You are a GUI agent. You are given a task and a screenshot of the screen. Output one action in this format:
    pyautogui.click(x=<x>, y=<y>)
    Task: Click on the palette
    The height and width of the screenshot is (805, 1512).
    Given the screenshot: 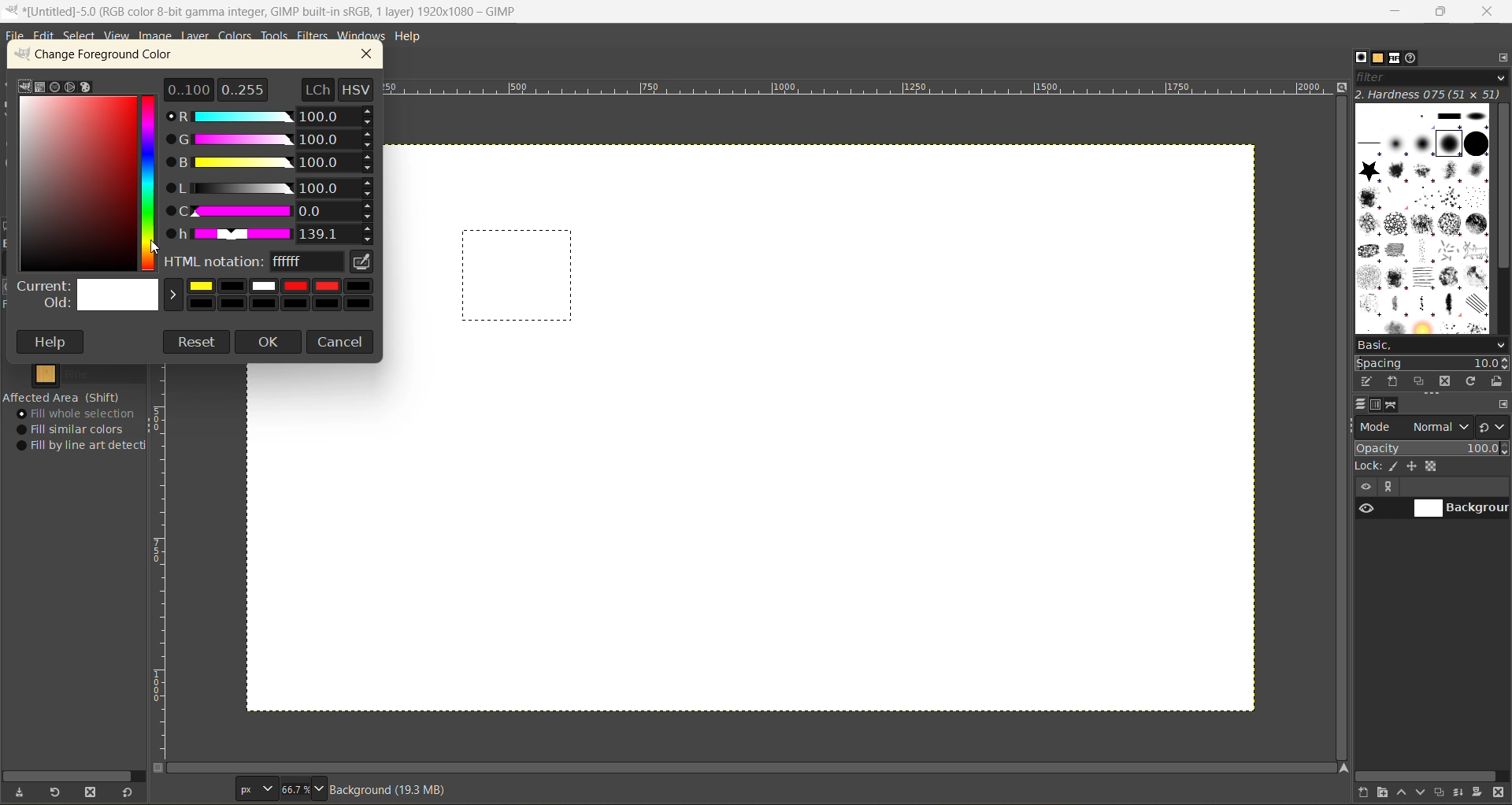 What is the action you would take?
    pyautogui.click(x=87, y=88)
    